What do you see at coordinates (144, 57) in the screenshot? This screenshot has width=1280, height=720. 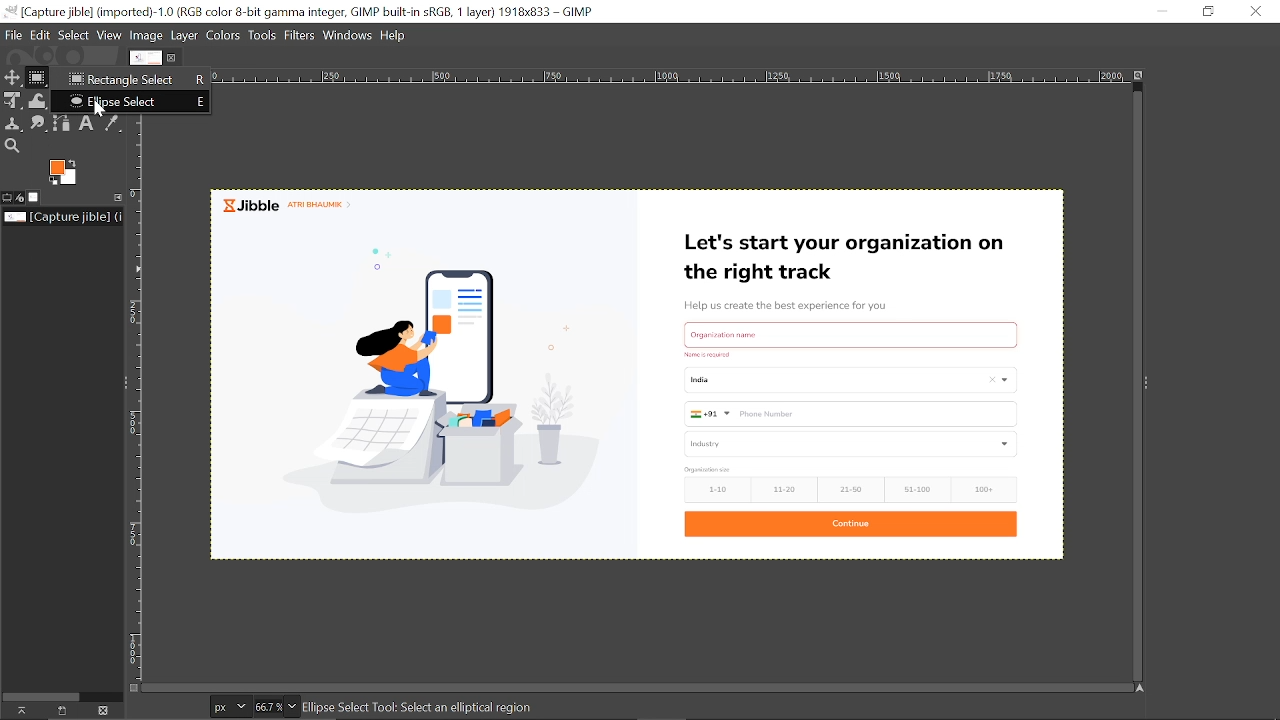 I see `Current Image` at bounding box center [144, 57].